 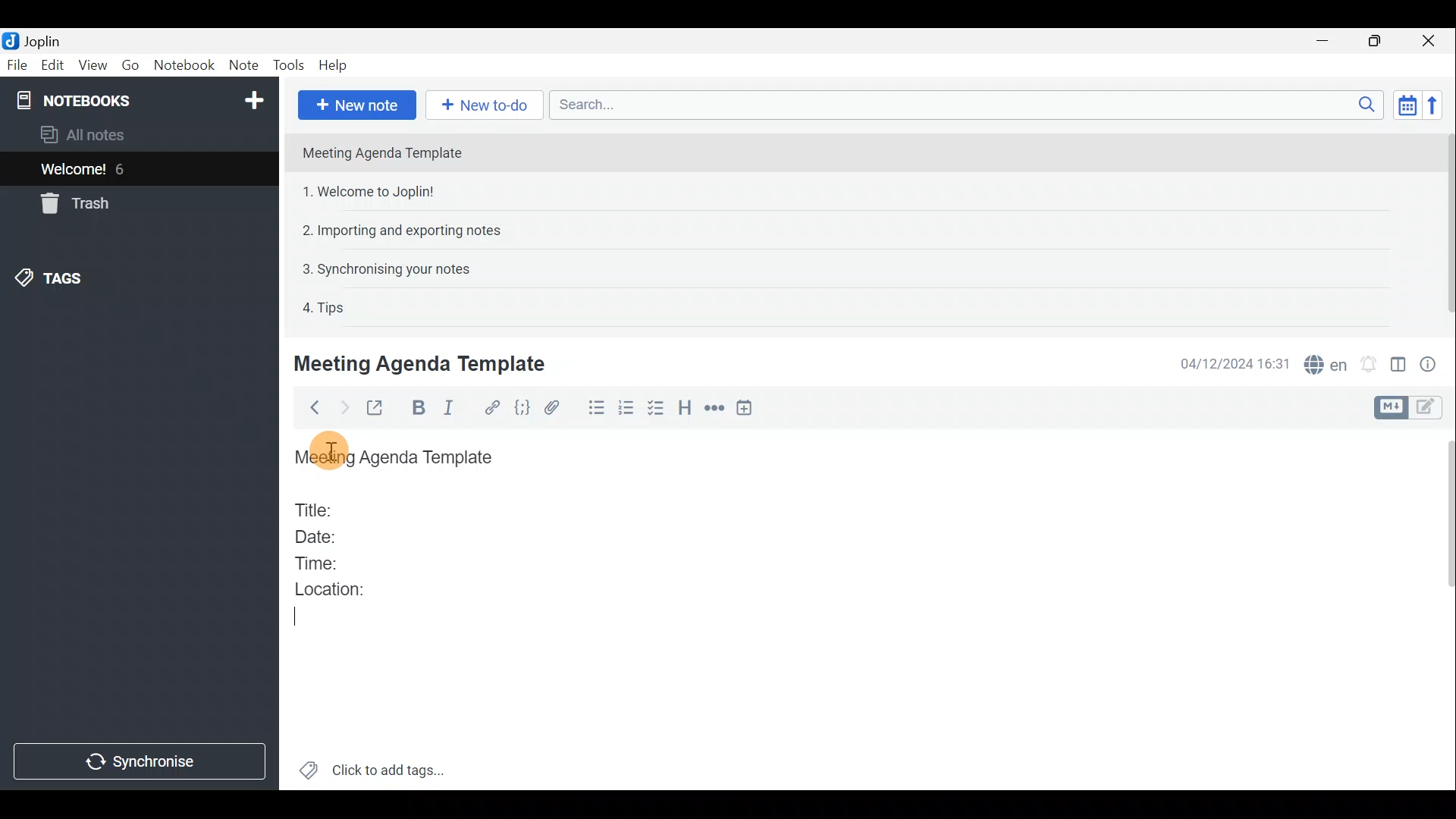 What do you see at coordinates (685, 410) in the screenshot?
I see `Heading` at bounding box center [685, 410].